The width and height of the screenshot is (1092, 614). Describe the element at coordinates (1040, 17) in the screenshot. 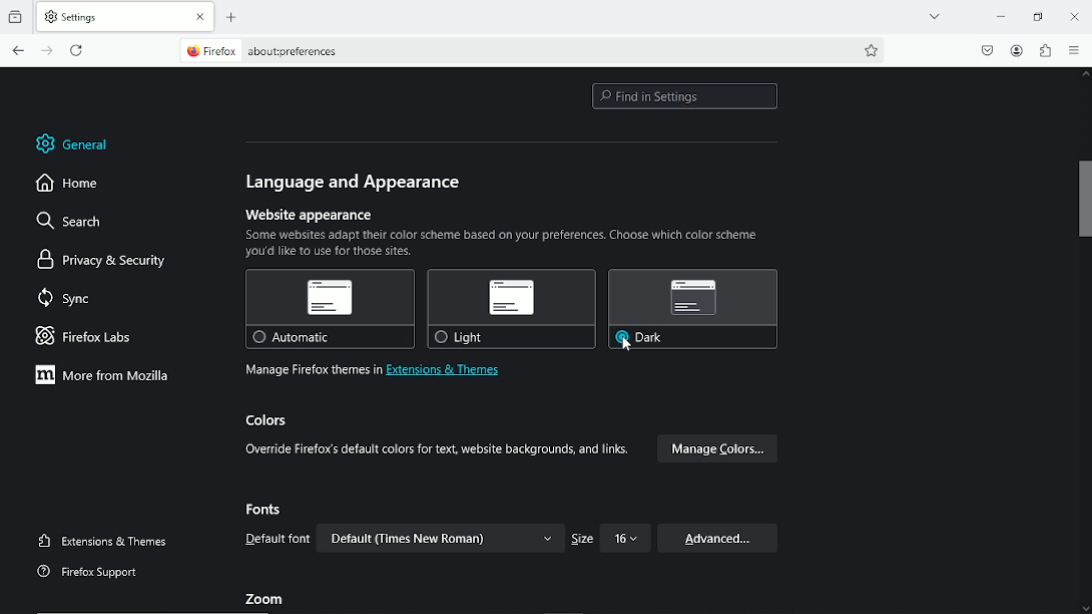

I see `restore down` at that location.